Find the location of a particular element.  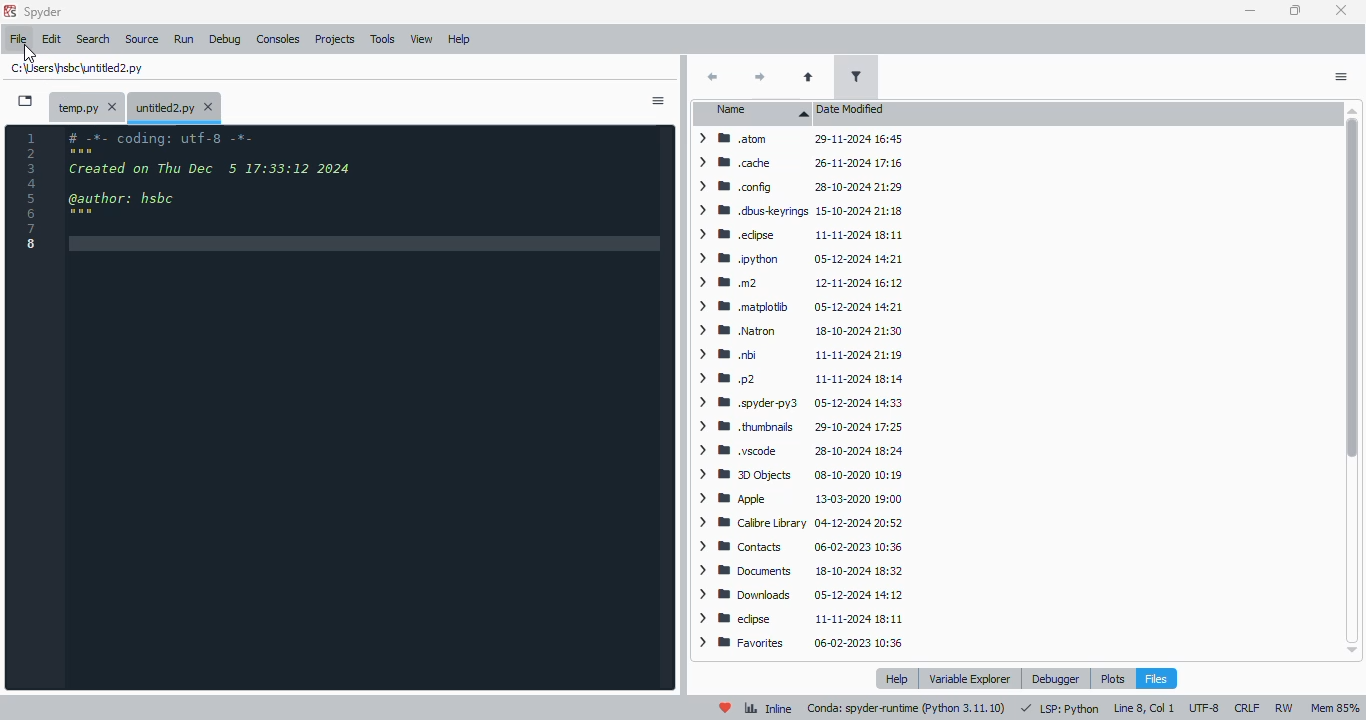

inline is located at coordinates (768, 707).